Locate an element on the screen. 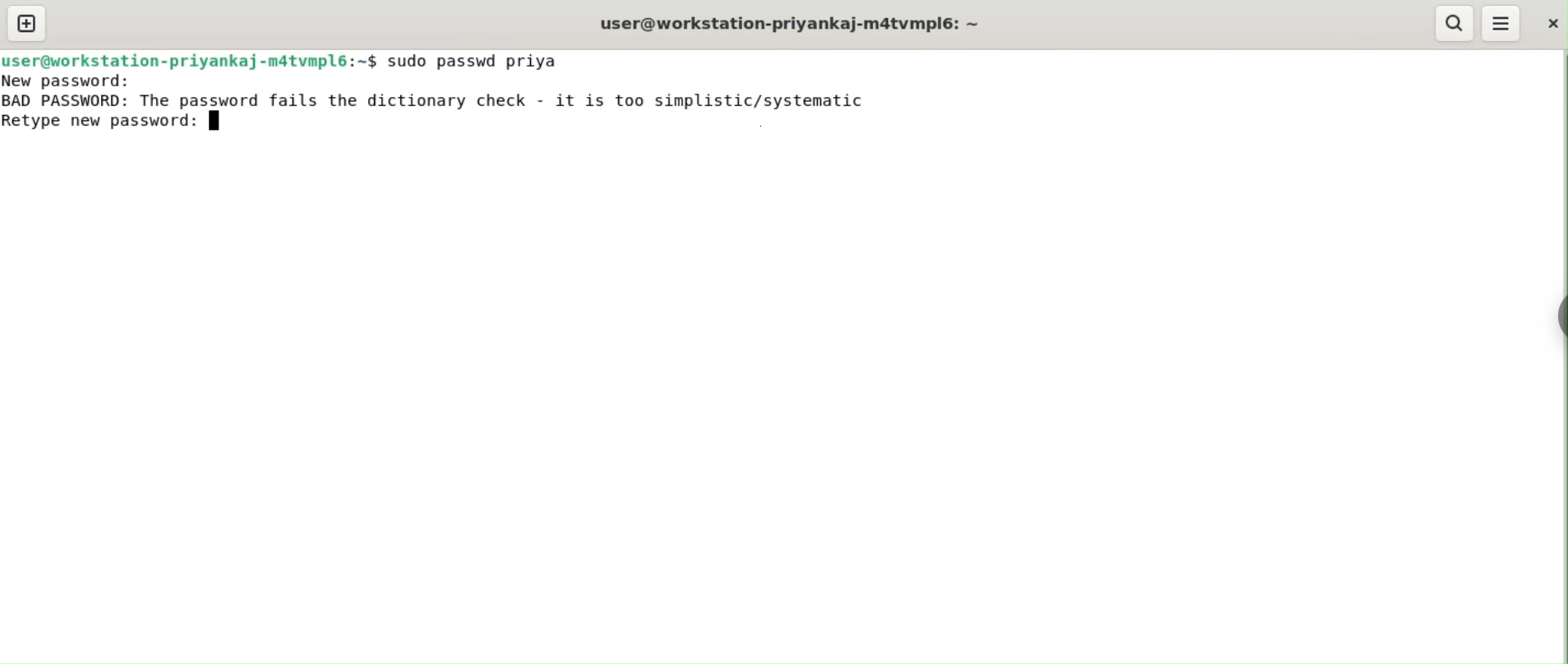  text cursor is located at coordinates (219, 122).